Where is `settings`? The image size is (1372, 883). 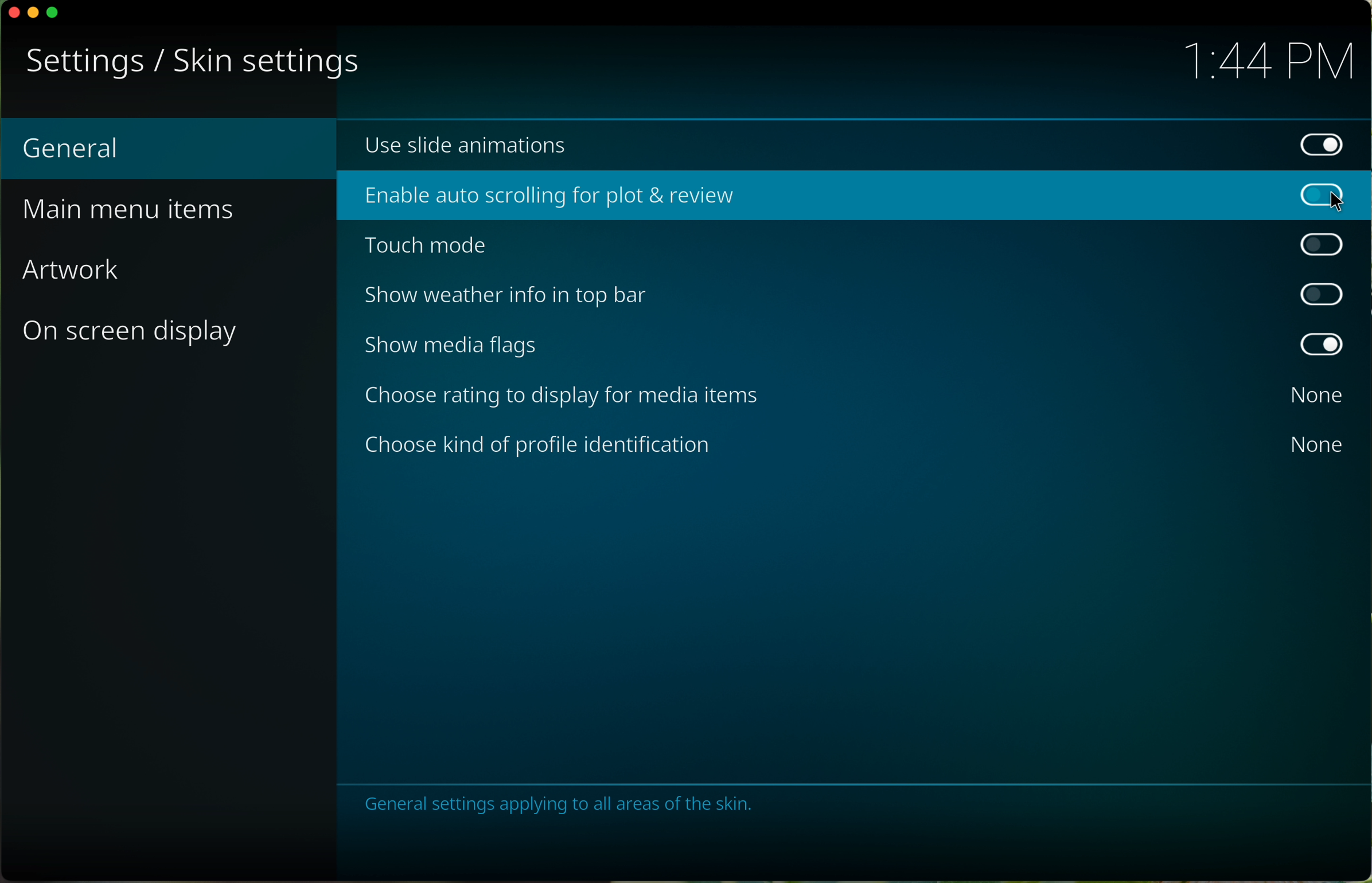
settings is located at coordinates (80, 62).